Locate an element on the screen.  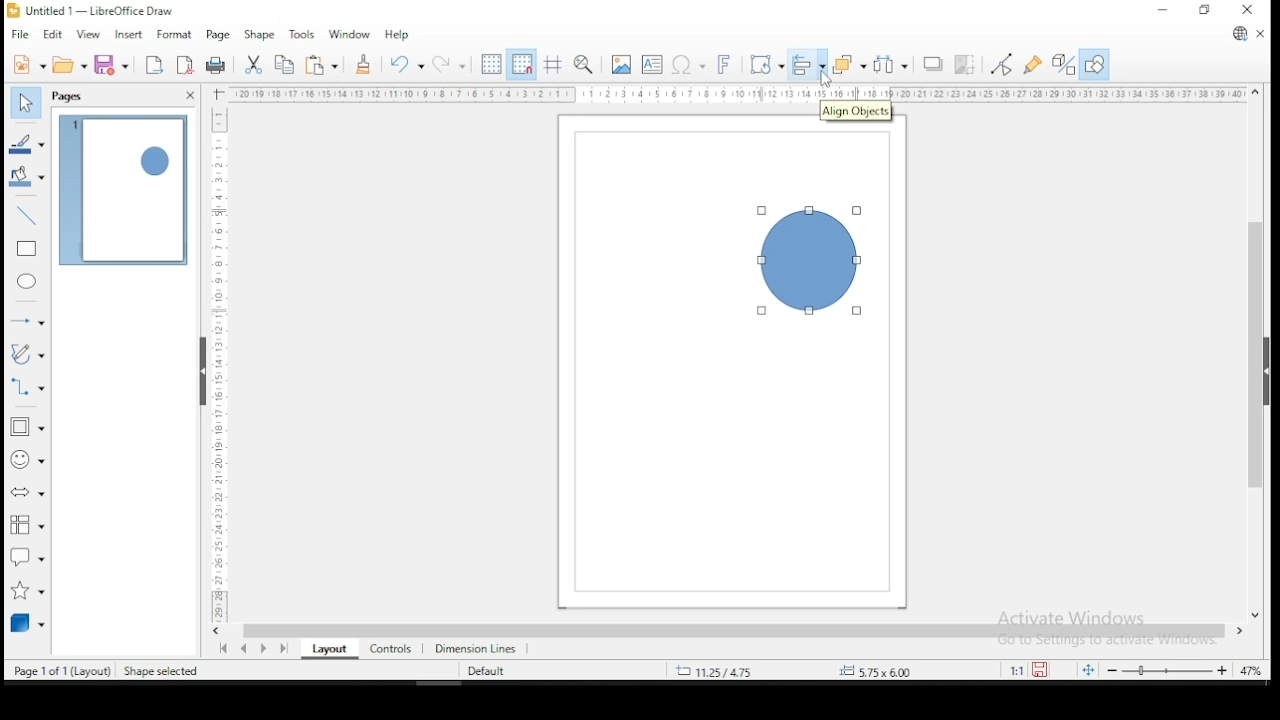
close deck is located at coordinates (189, 96).